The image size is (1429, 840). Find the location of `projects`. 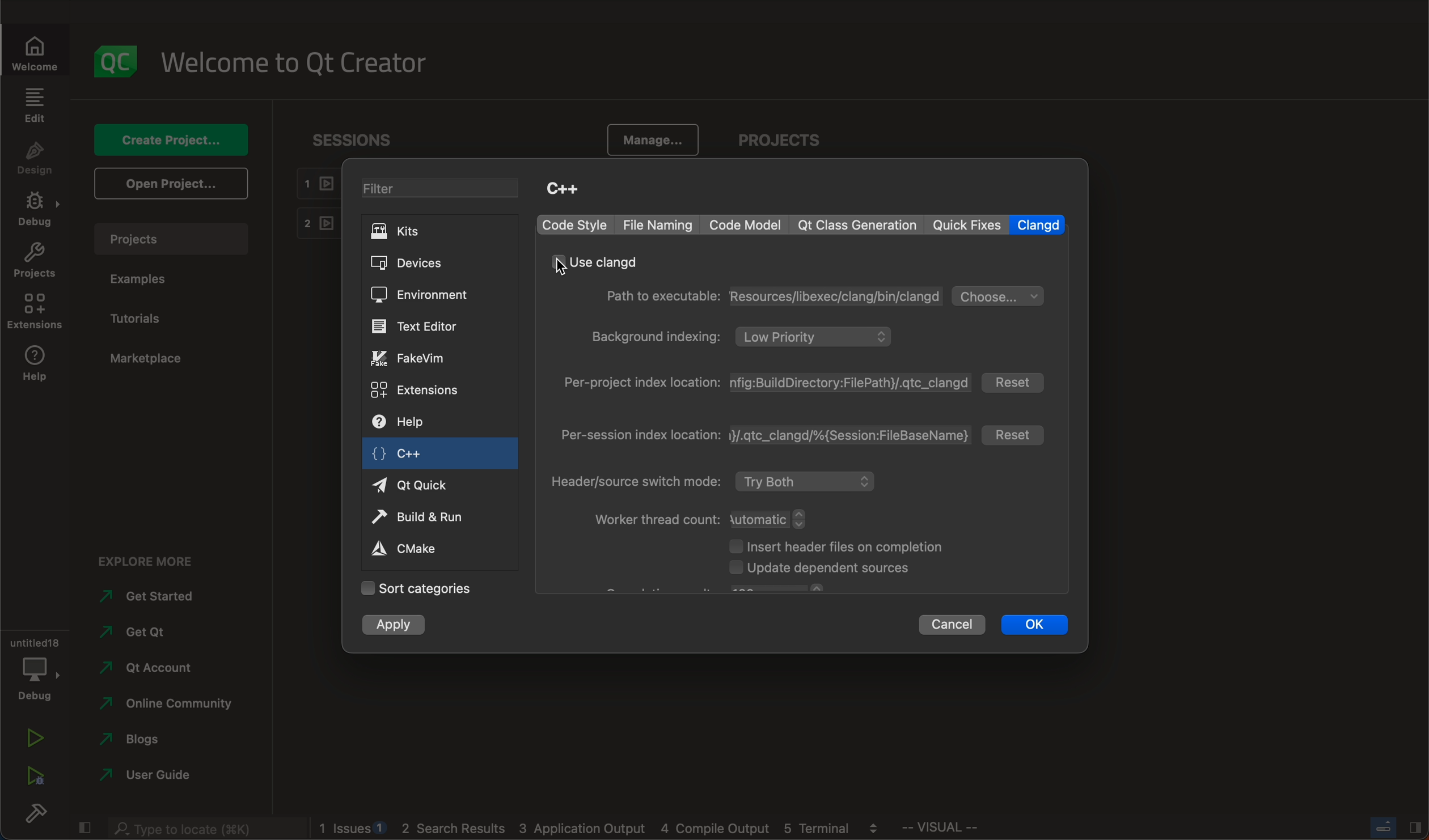

projects is located at coordinates (36, 262).